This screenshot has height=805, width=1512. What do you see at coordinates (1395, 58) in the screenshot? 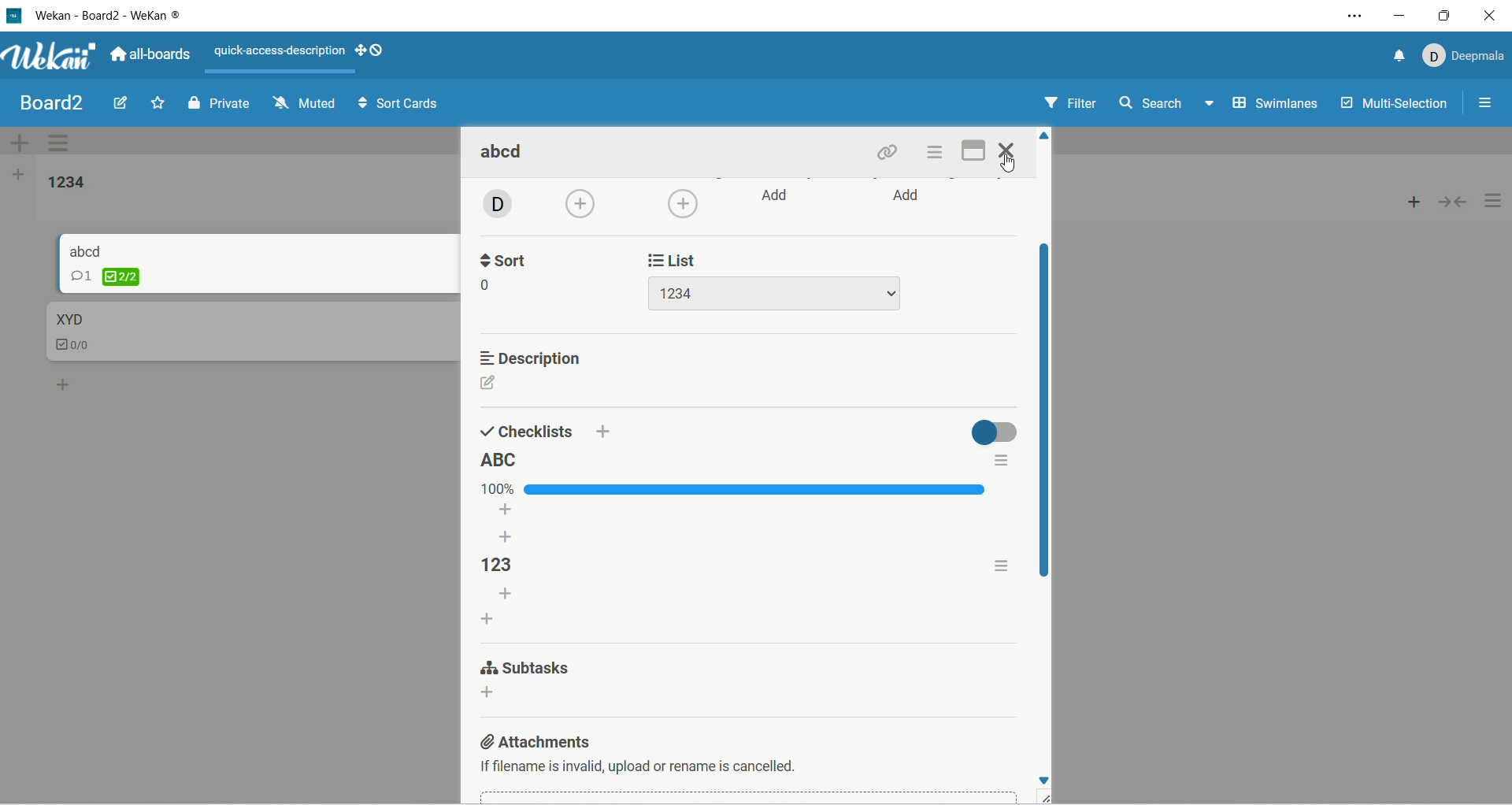
I see `notification` at bounding box center [1395, 58].